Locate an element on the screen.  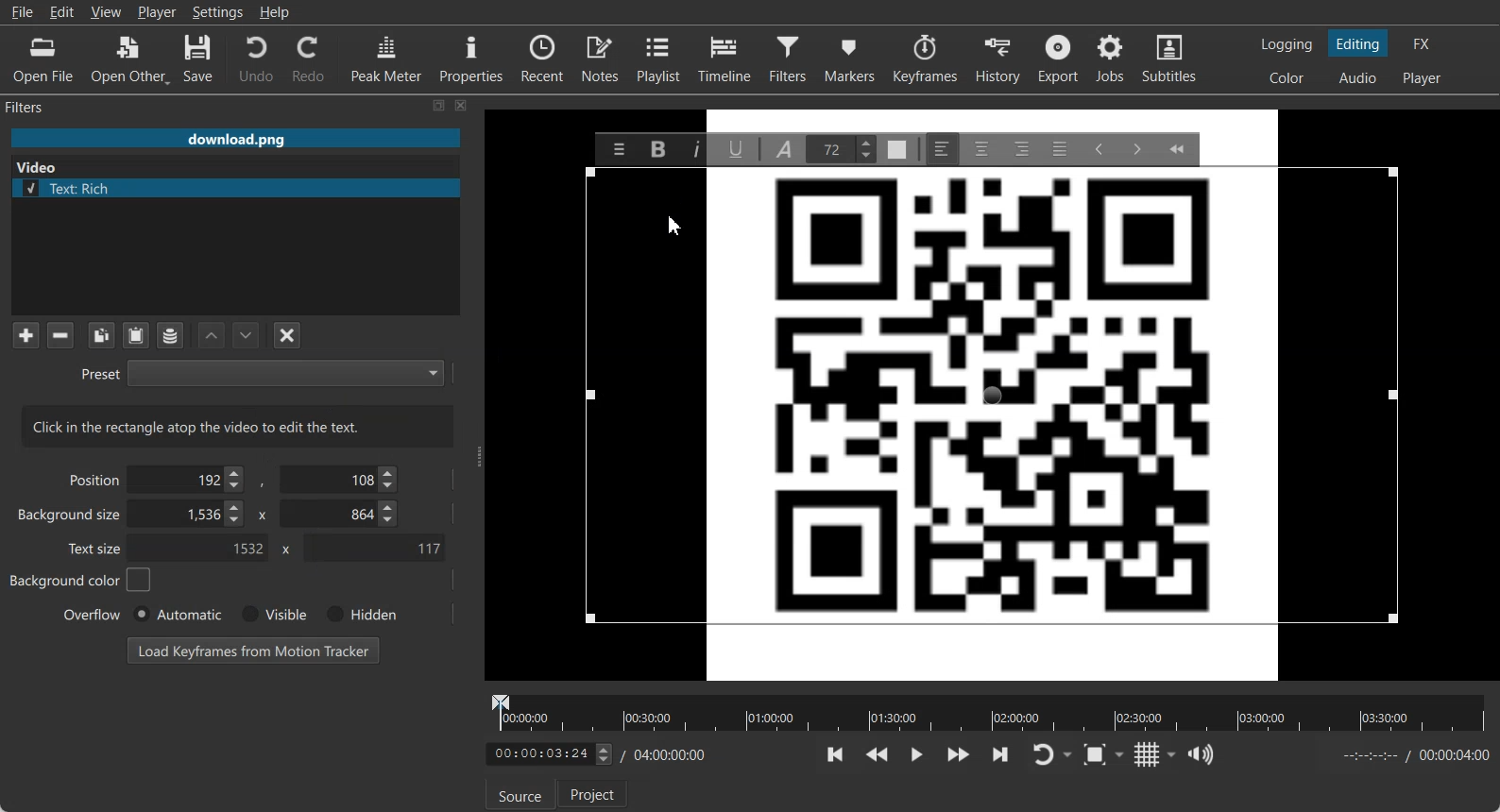
Open File is located at coordinates (43, 60).